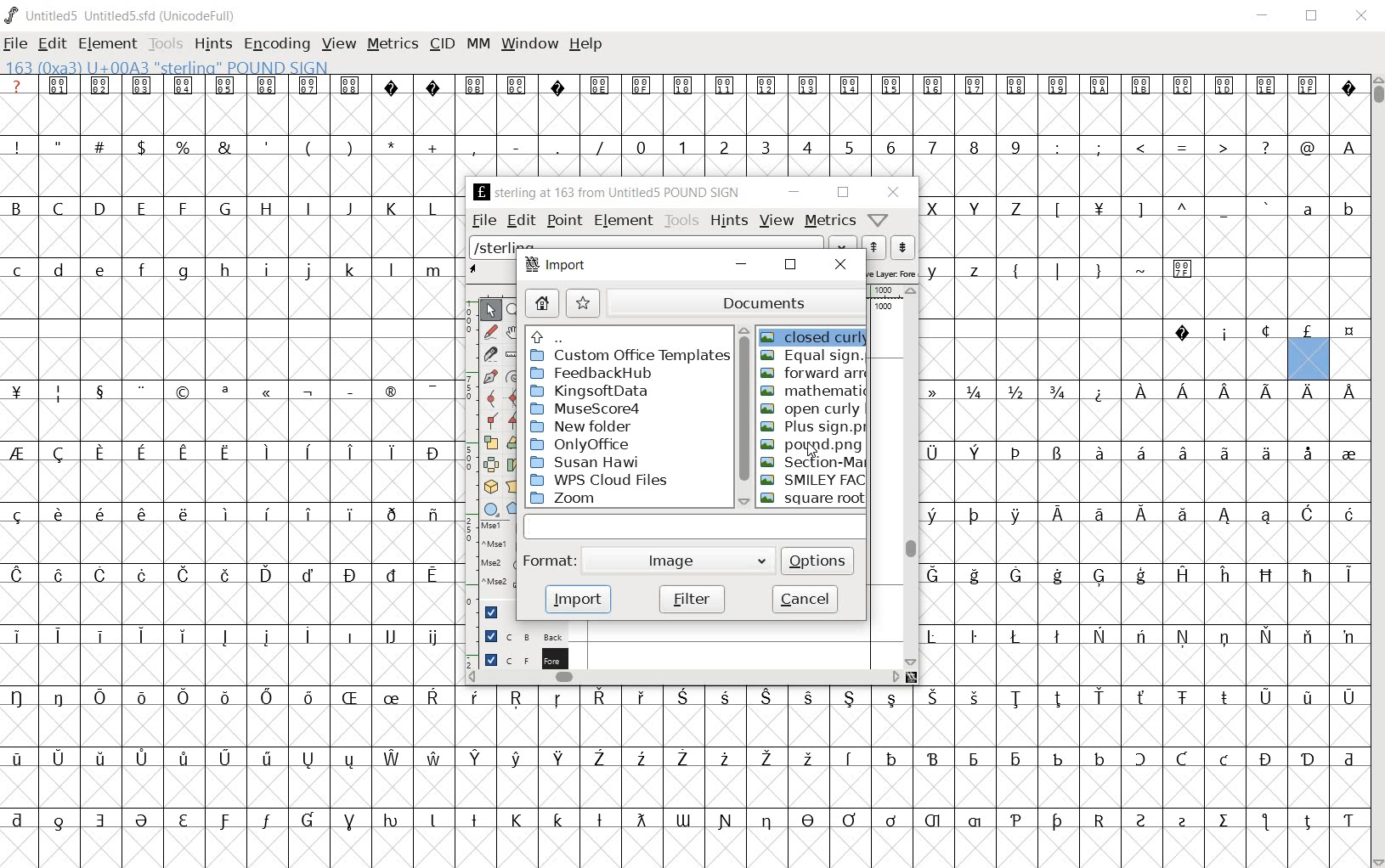 Image resolution: width=1385 pixels, height=868 pixels. I want to click on Symbol, so click(1348, 516).